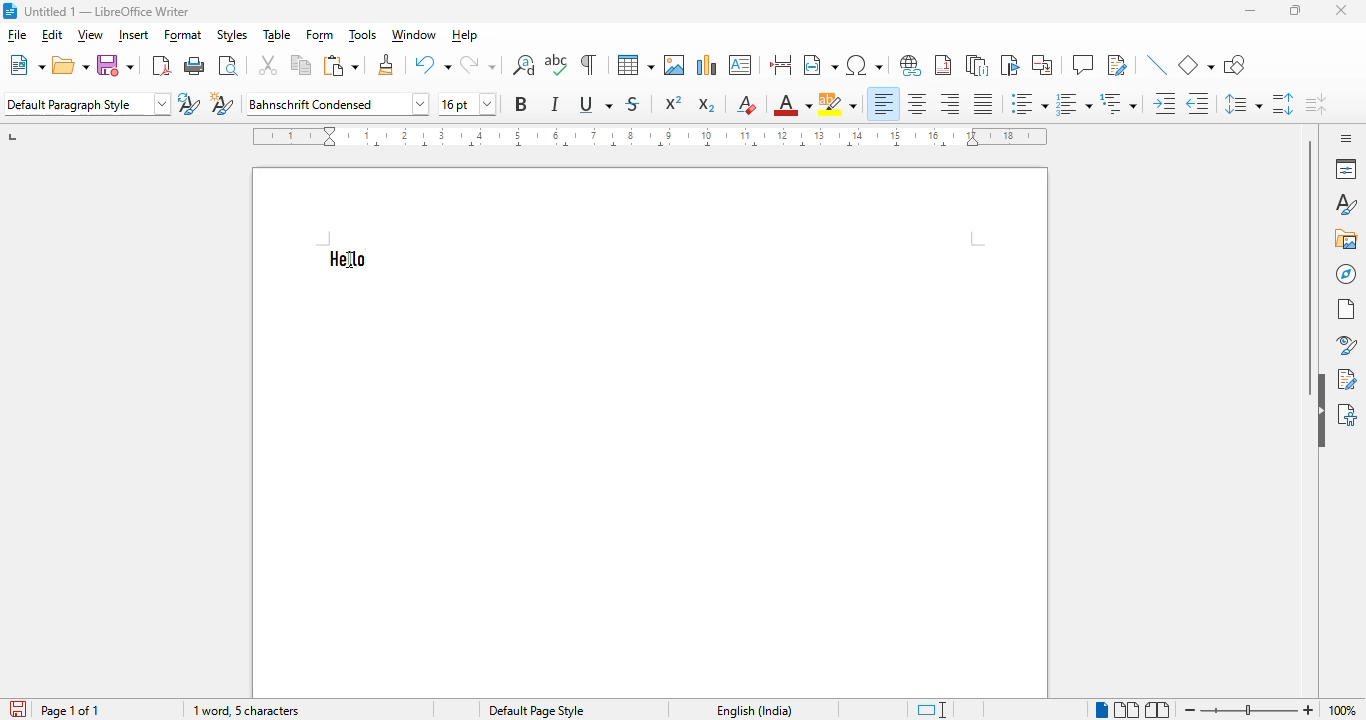  I want to click on show track changes functions, so click(1118, 65).